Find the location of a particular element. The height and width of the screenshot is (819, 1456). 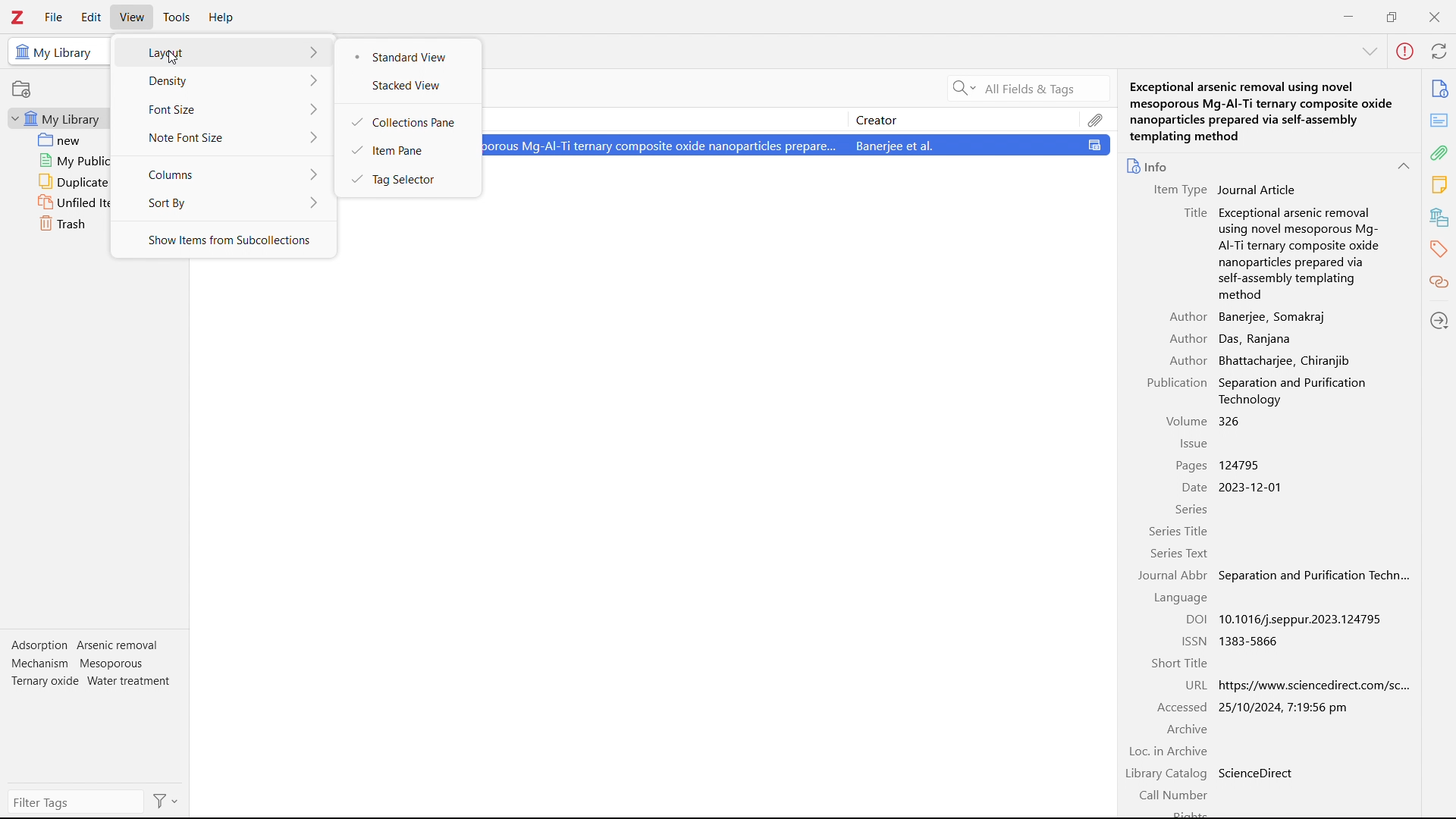

https://www.sciencedirect.com/sc... is located at coordinates (1313, 685).